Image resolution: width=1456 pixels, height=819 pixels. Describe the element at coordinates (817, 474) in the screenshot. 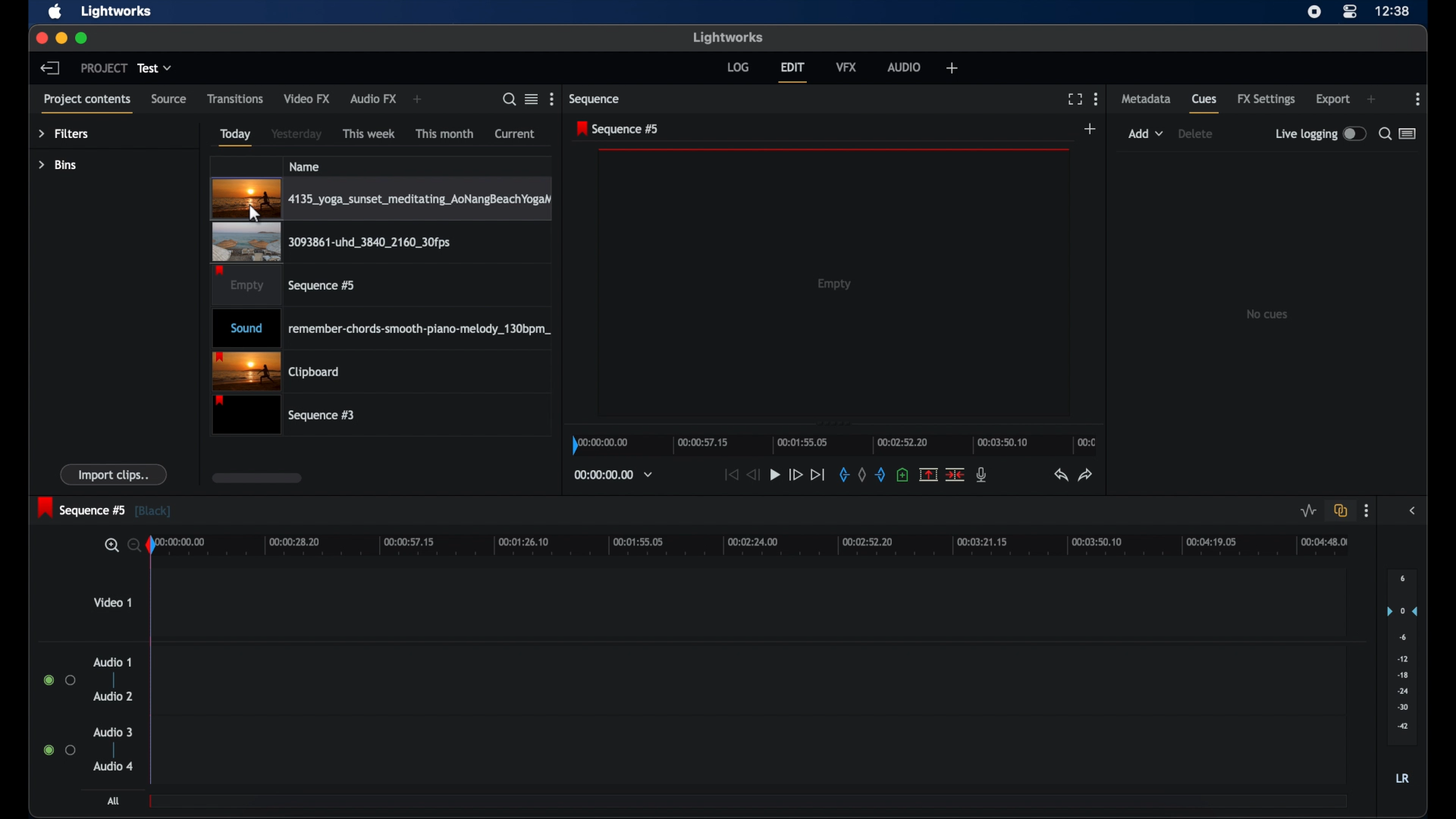

I see `jump to end` at that location.